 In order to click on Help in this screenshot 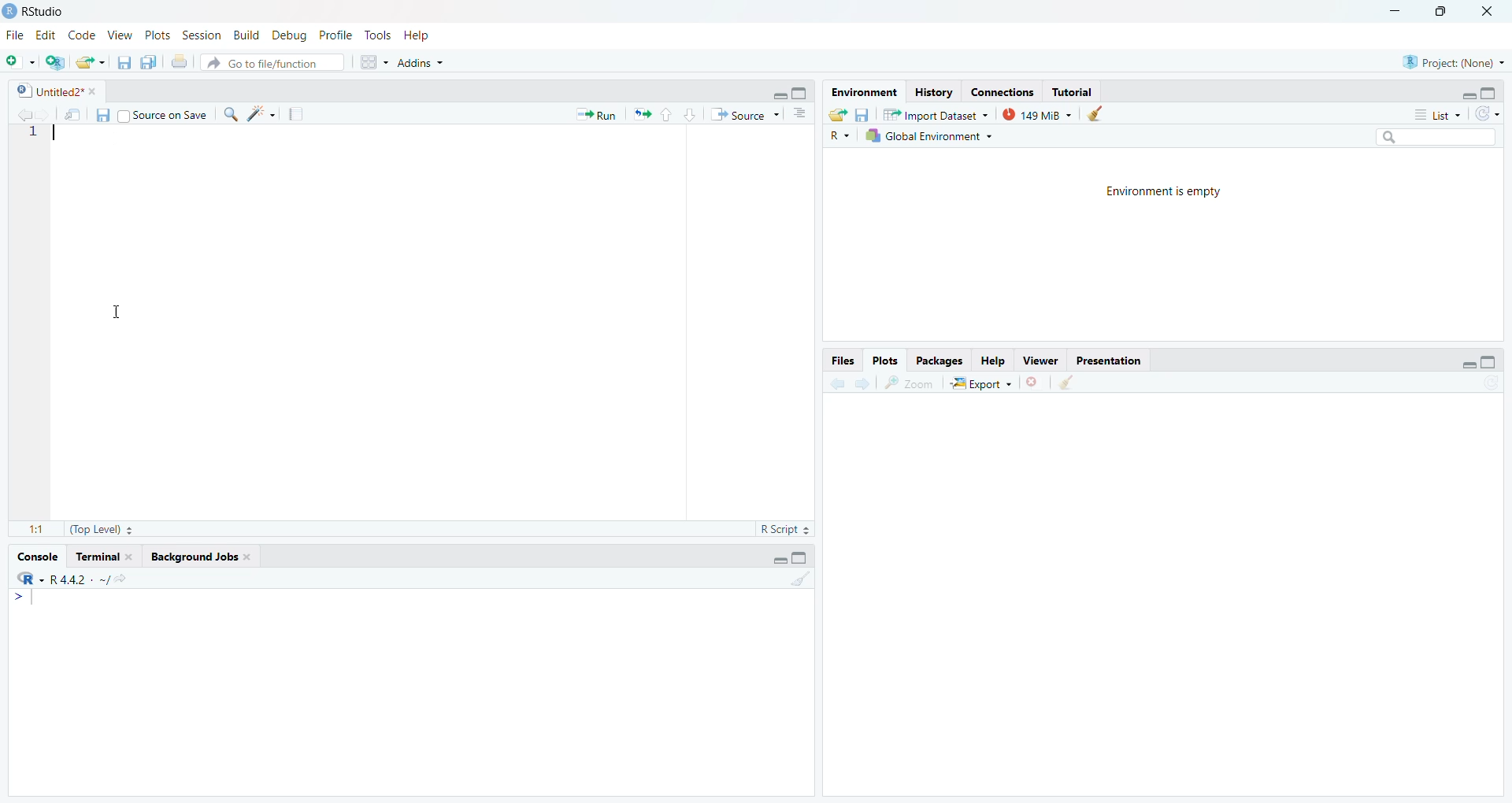, I will do `click(417, 37)`.